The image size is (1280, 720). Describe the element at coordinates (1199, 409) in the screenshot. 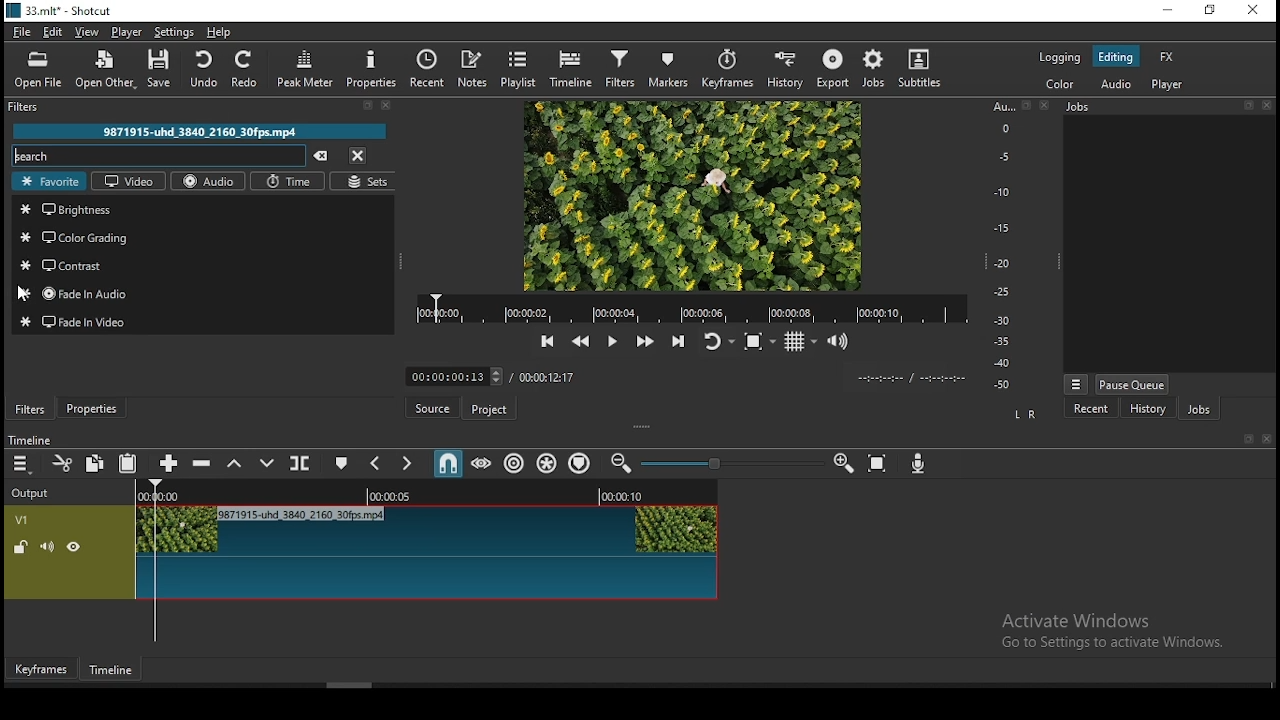

I see `jobs` at that location.